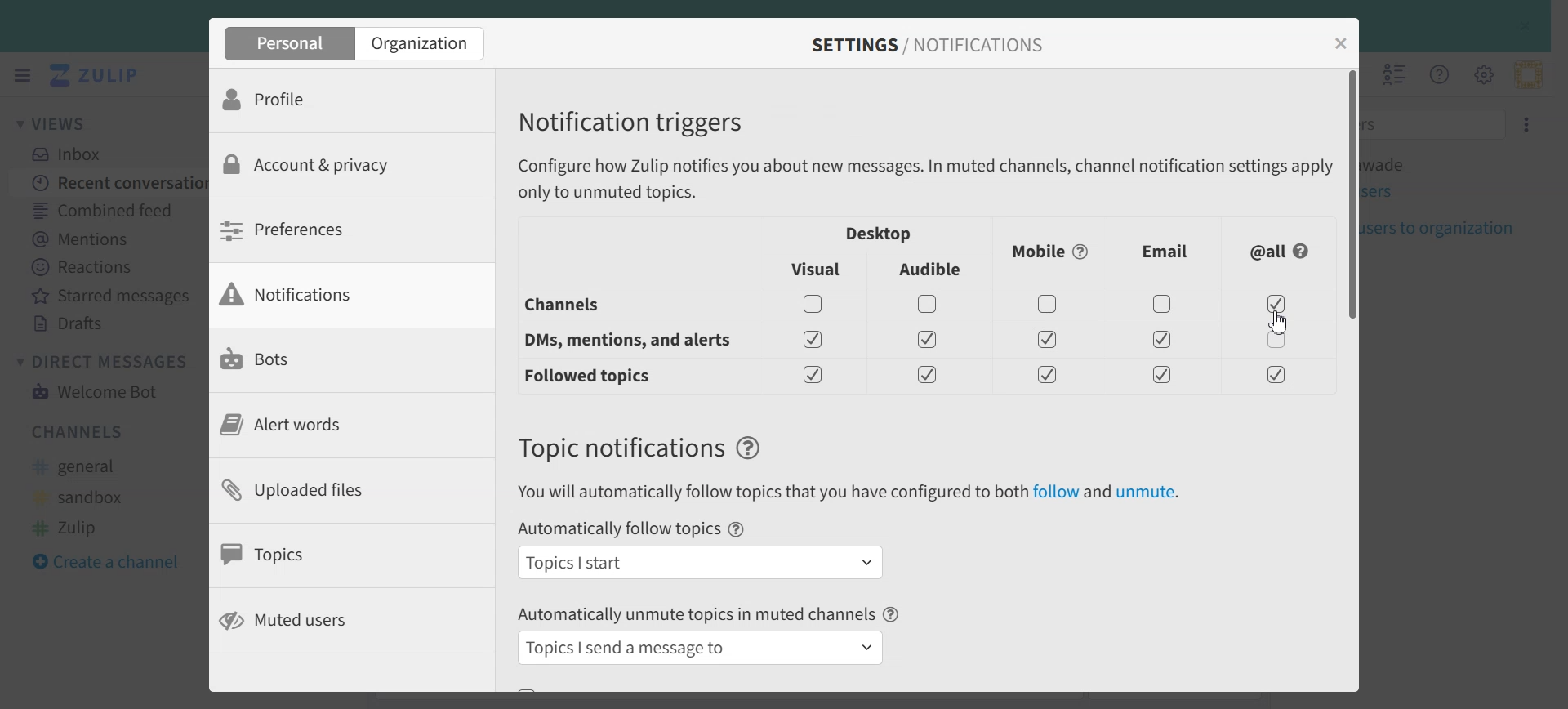 Image resolution: width=1568 pixels, height=709 pixels. I want to click on Notification triggers
Configure how Zulip notifies you about new messages. In muted channels, channel notification settings apply
only to unmuted topics., so click(920, 155).